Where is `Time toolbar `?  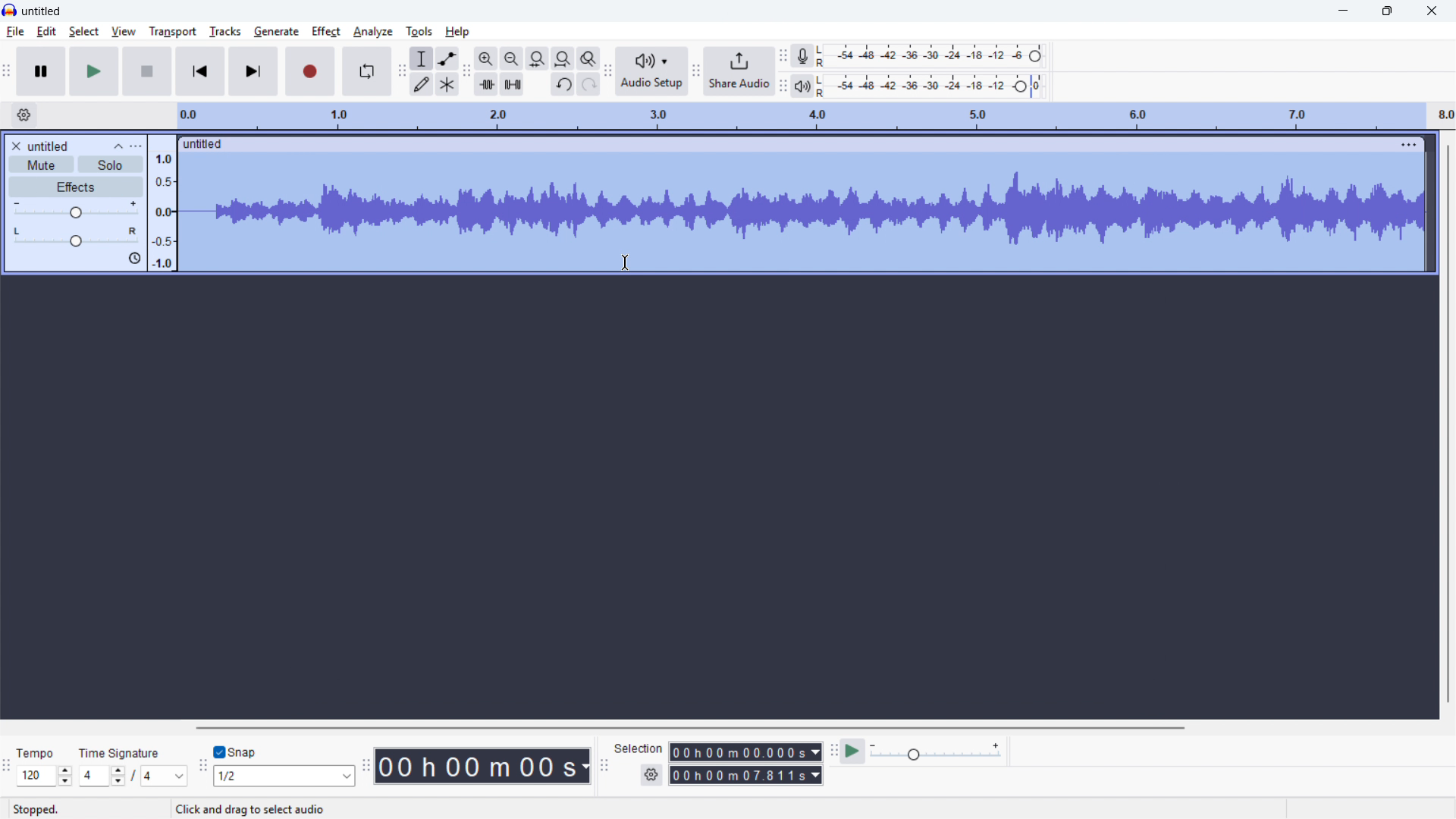 Time toolbar  is located at coordinates (367, 767).